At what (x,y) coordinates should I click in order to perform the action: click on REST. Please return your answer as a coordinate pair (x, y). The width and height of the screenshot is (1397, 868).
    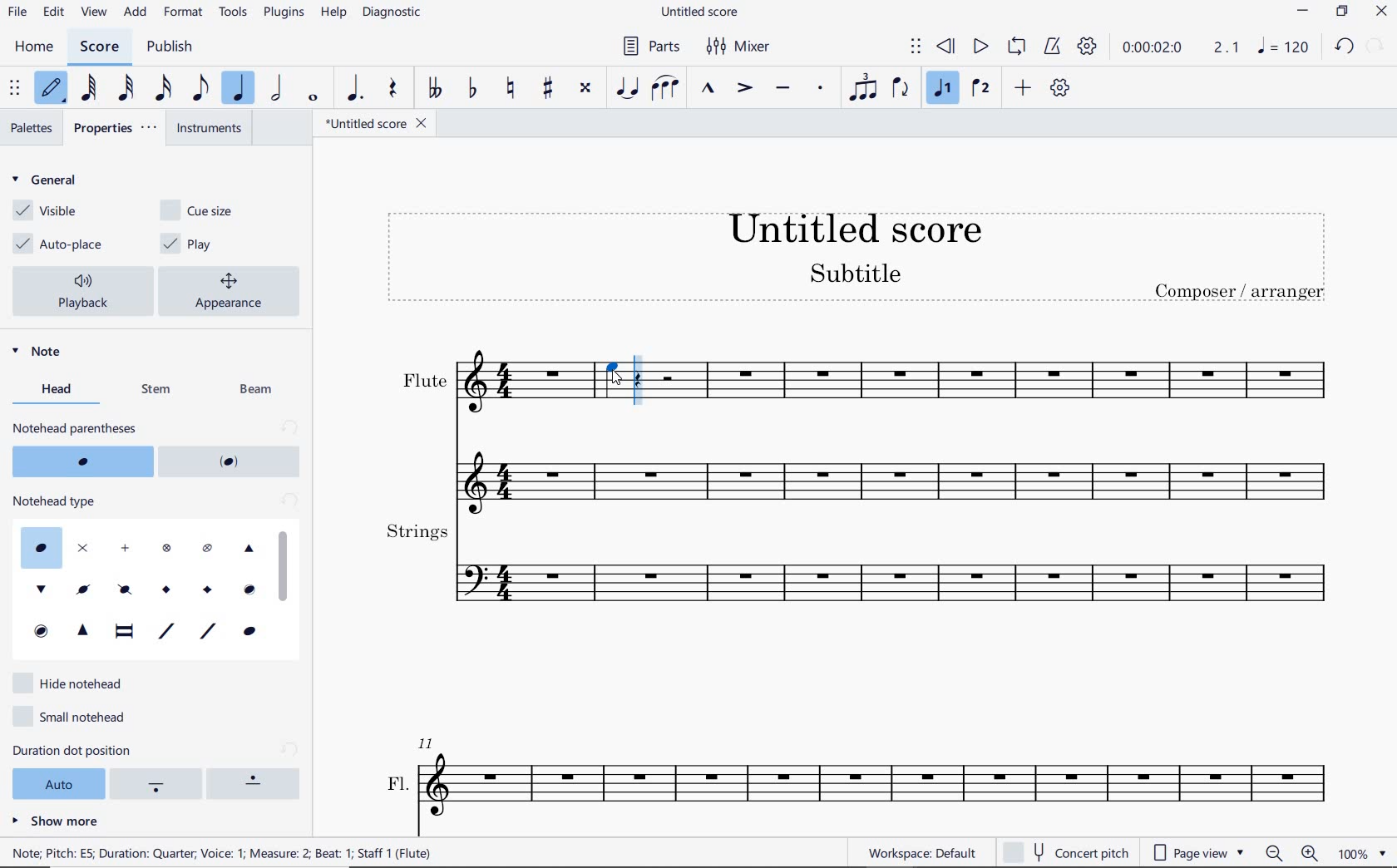
    Looking at the image, I should click on (391, 90).